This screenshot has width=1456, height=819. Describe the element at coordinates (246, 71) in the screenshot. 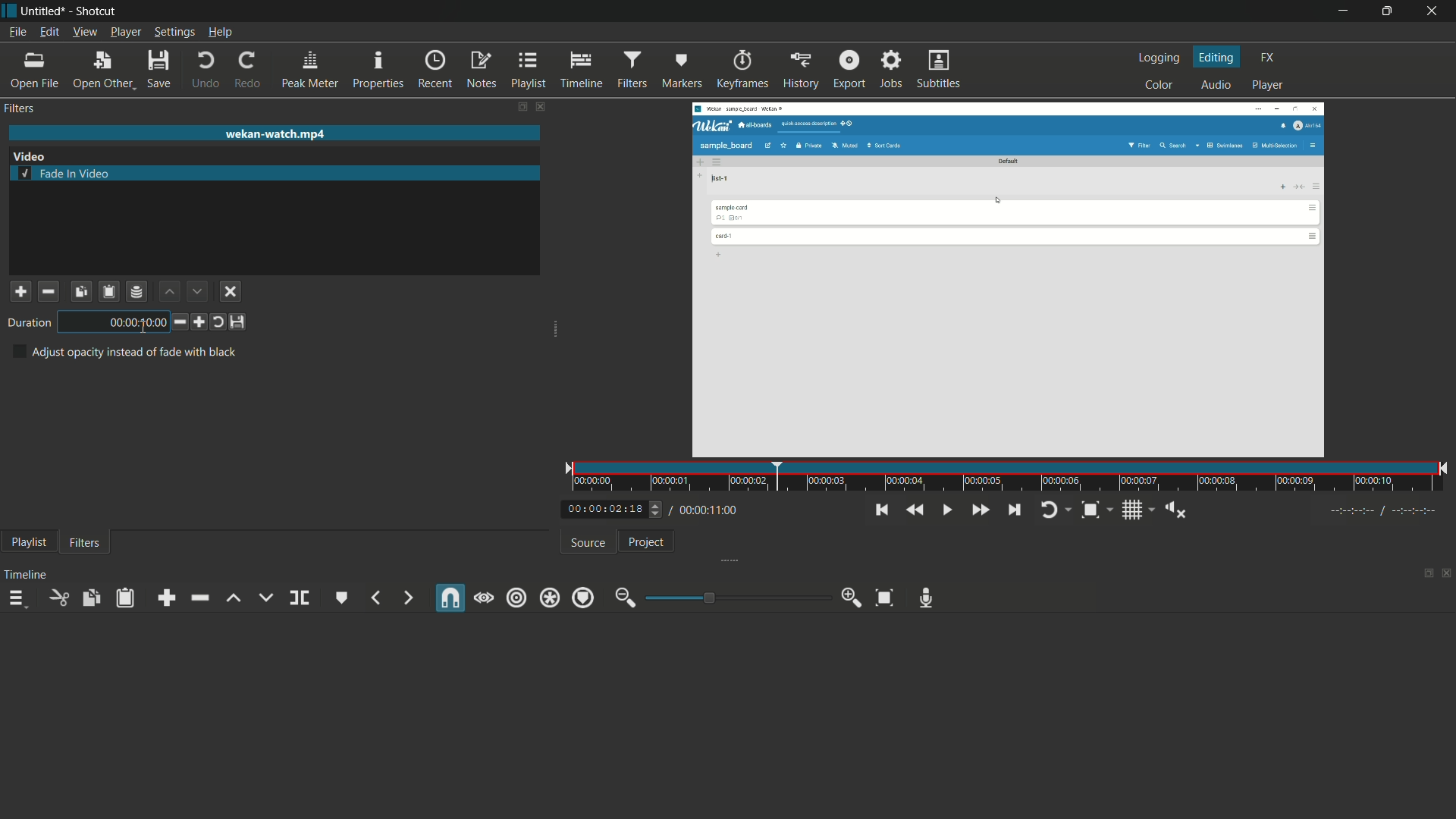

I see `redo` at that location.